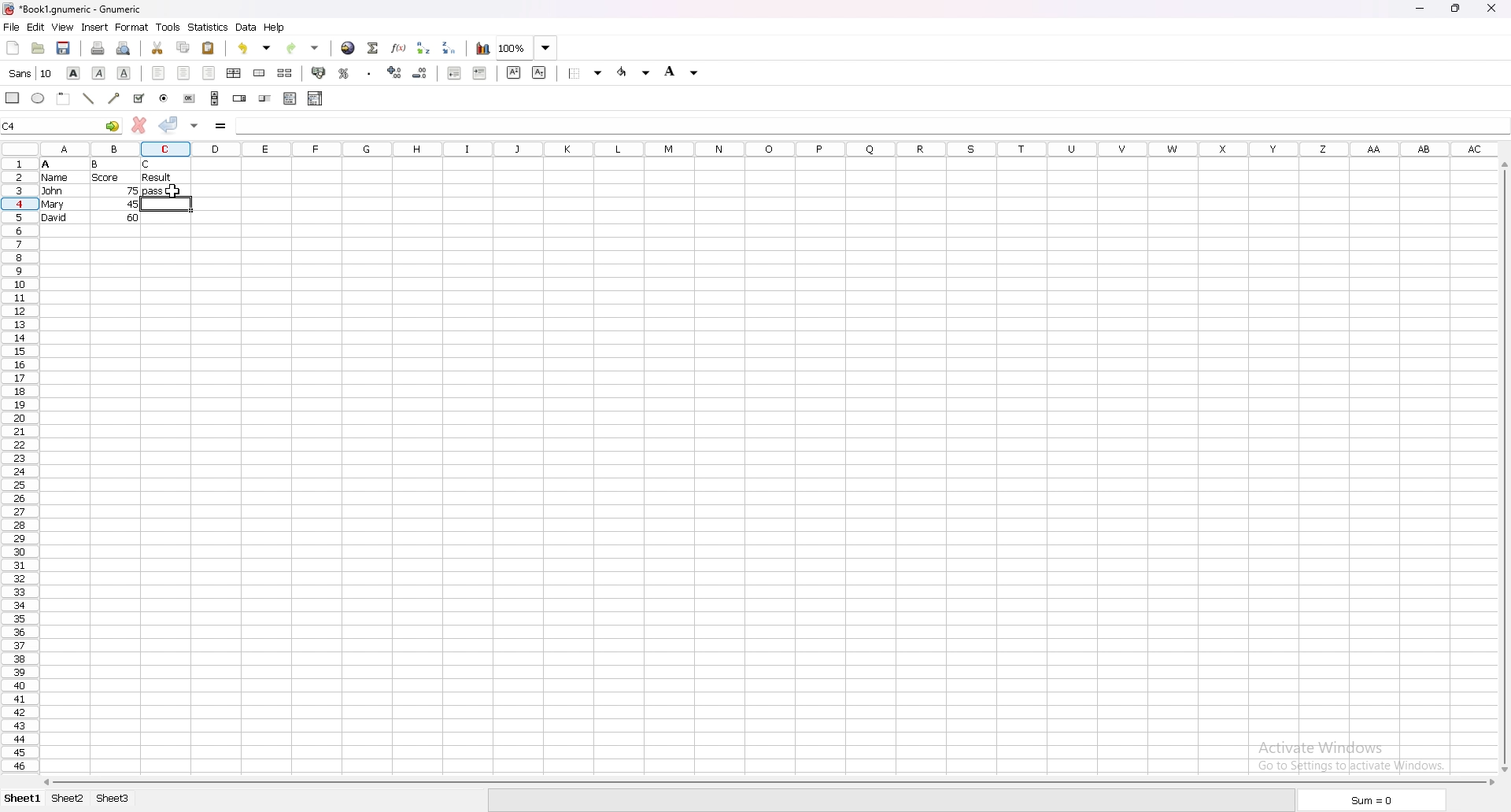  Describe the element at coordinates (209, 48) in the screenshot. I see `paste` at that location.